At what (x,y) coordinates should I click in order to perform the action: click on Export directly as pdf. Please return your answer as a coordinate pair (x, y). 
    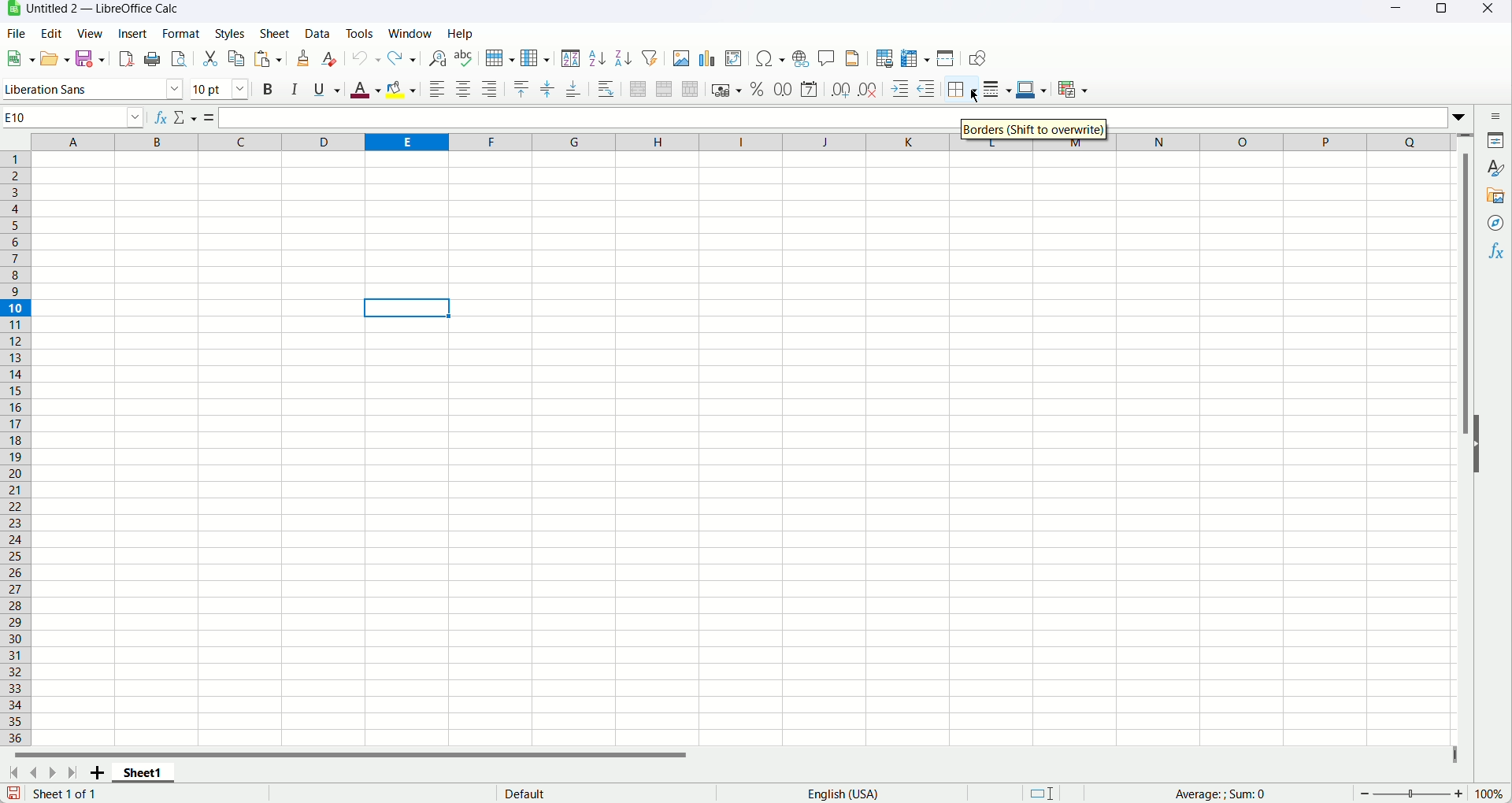
    Looking at the image, I should click on (128, 60).